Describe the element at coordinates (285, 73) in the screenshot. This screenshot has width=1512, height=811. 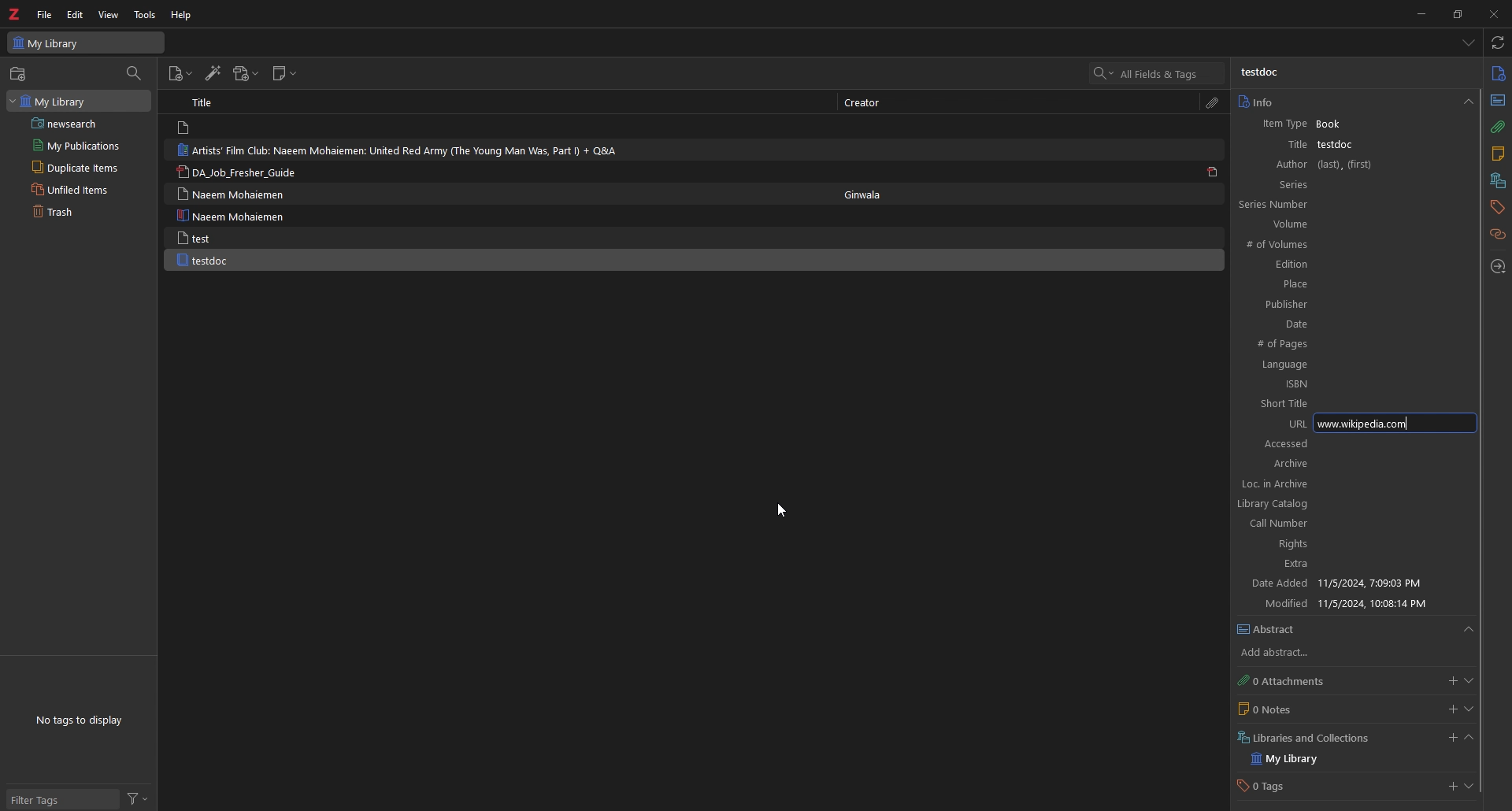
I see `new note` at that location.